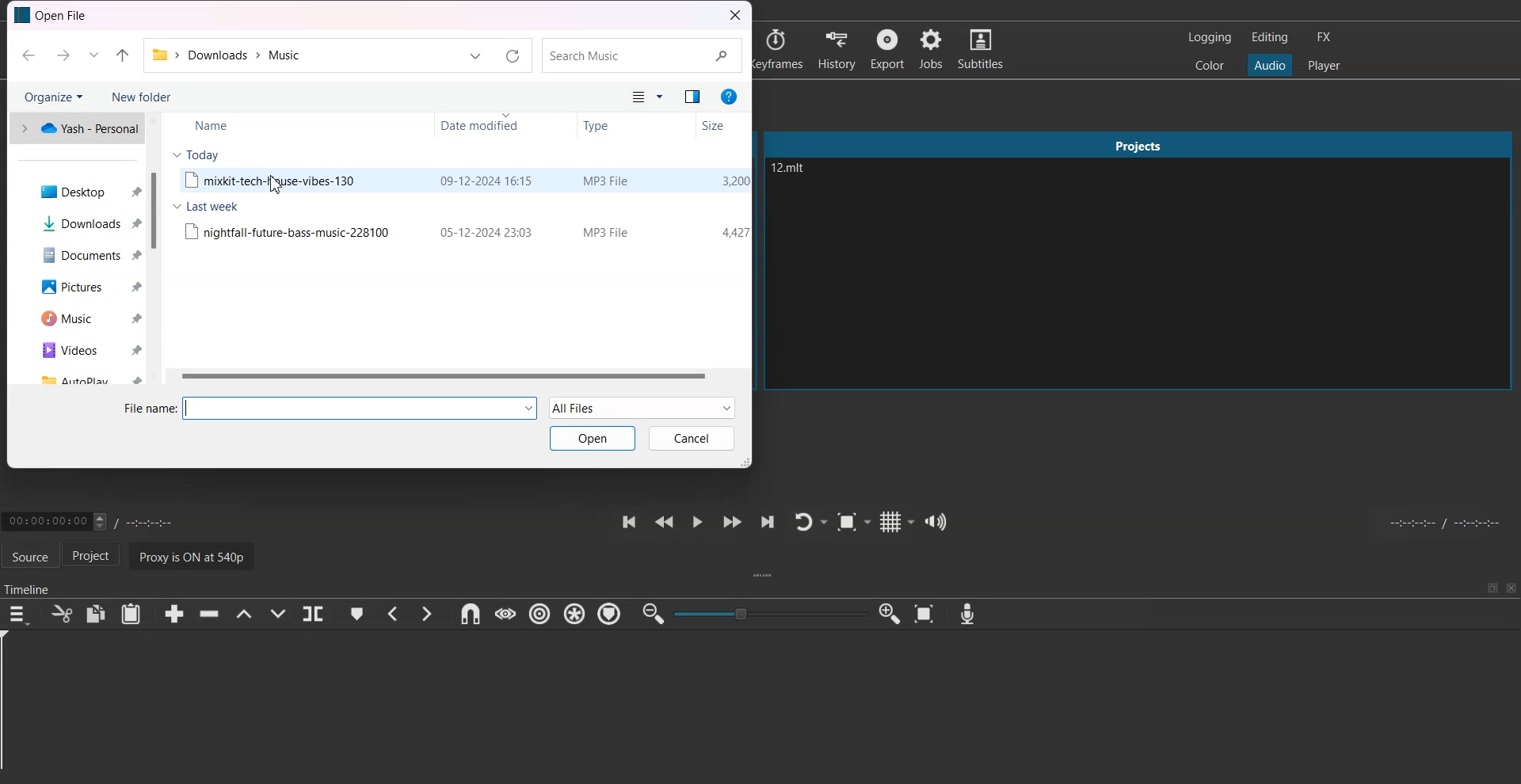 The image size is (1521, 784). What do you see at coordinates (82, 191) in the screenshot?
I see `Desktop` at bounding box center [82, 191].